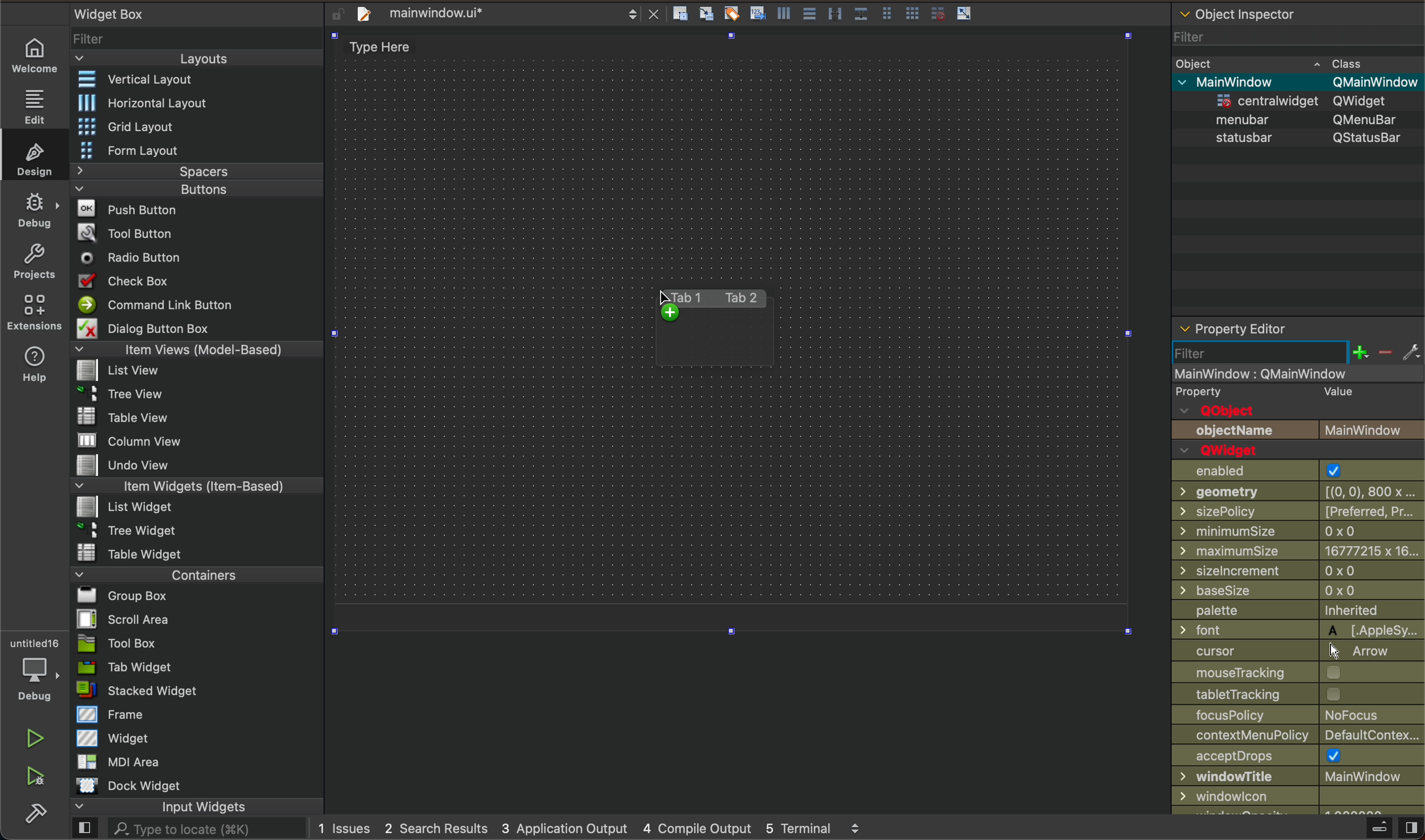 The height and width of the screenshot is (840, 1425). I want to click on Filter, so click(93, 37).